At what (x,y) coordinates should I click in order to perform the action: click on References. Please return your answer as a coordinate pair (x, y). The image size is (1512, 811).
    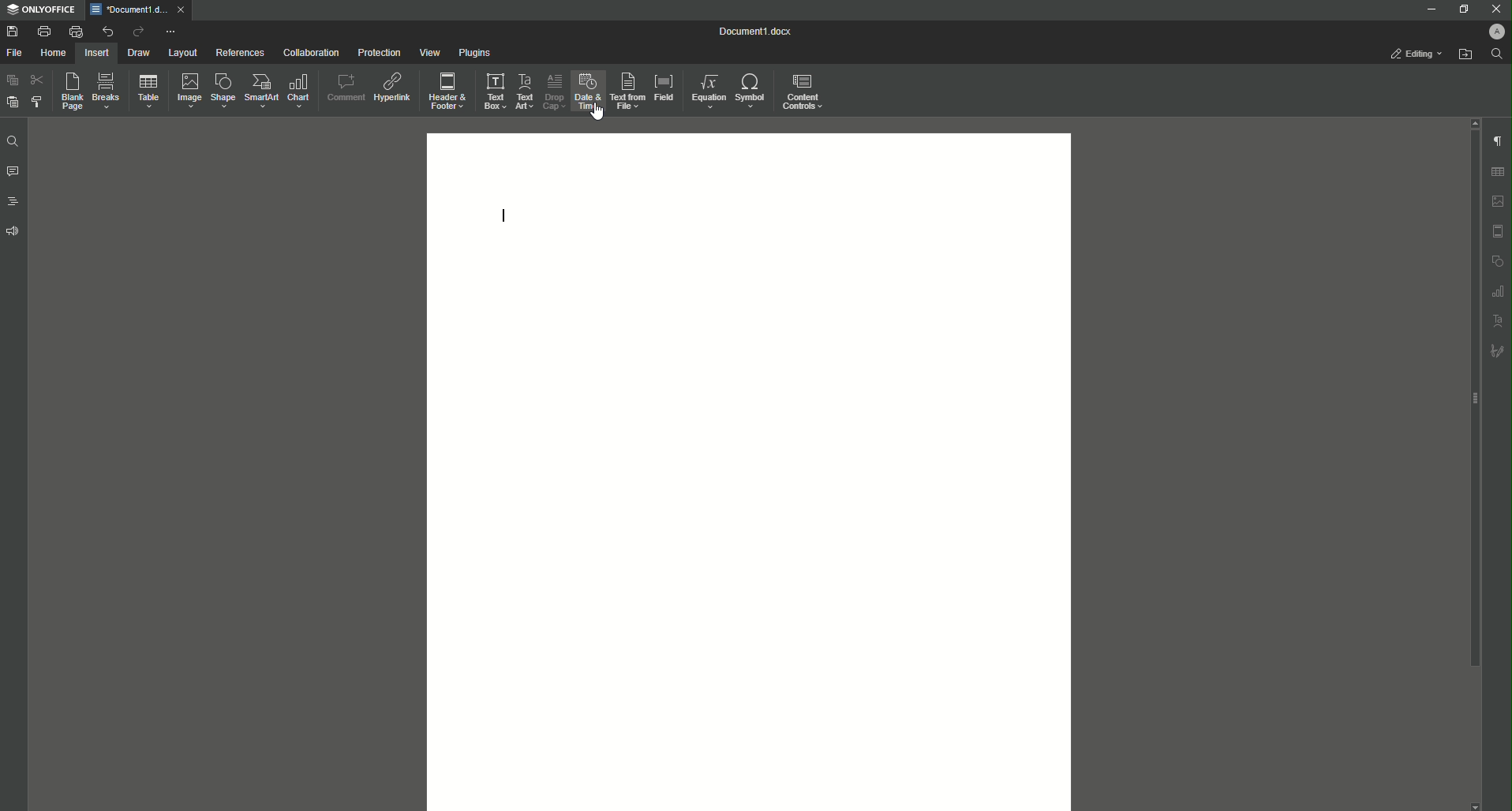
    Looking at the image, I should click on (239, 53).